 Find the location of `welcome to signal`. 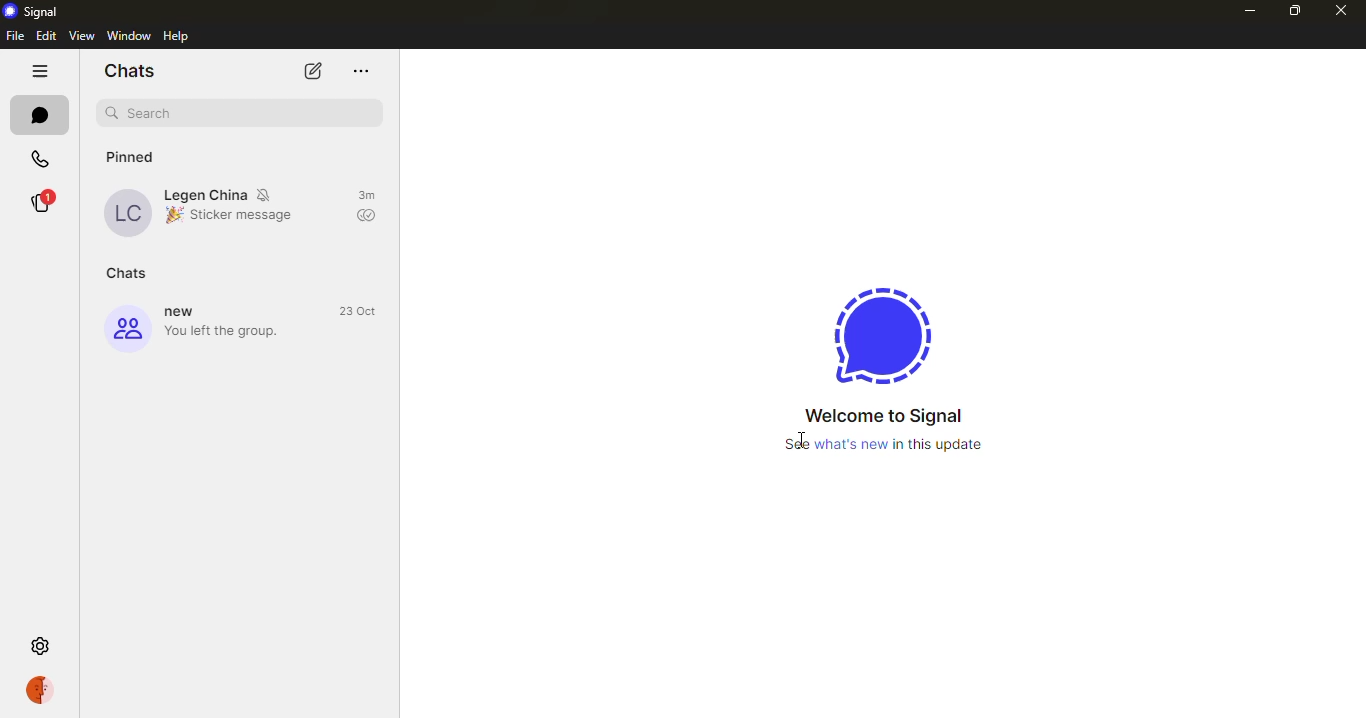

welcome to signal is located at coordinates (889, 413).